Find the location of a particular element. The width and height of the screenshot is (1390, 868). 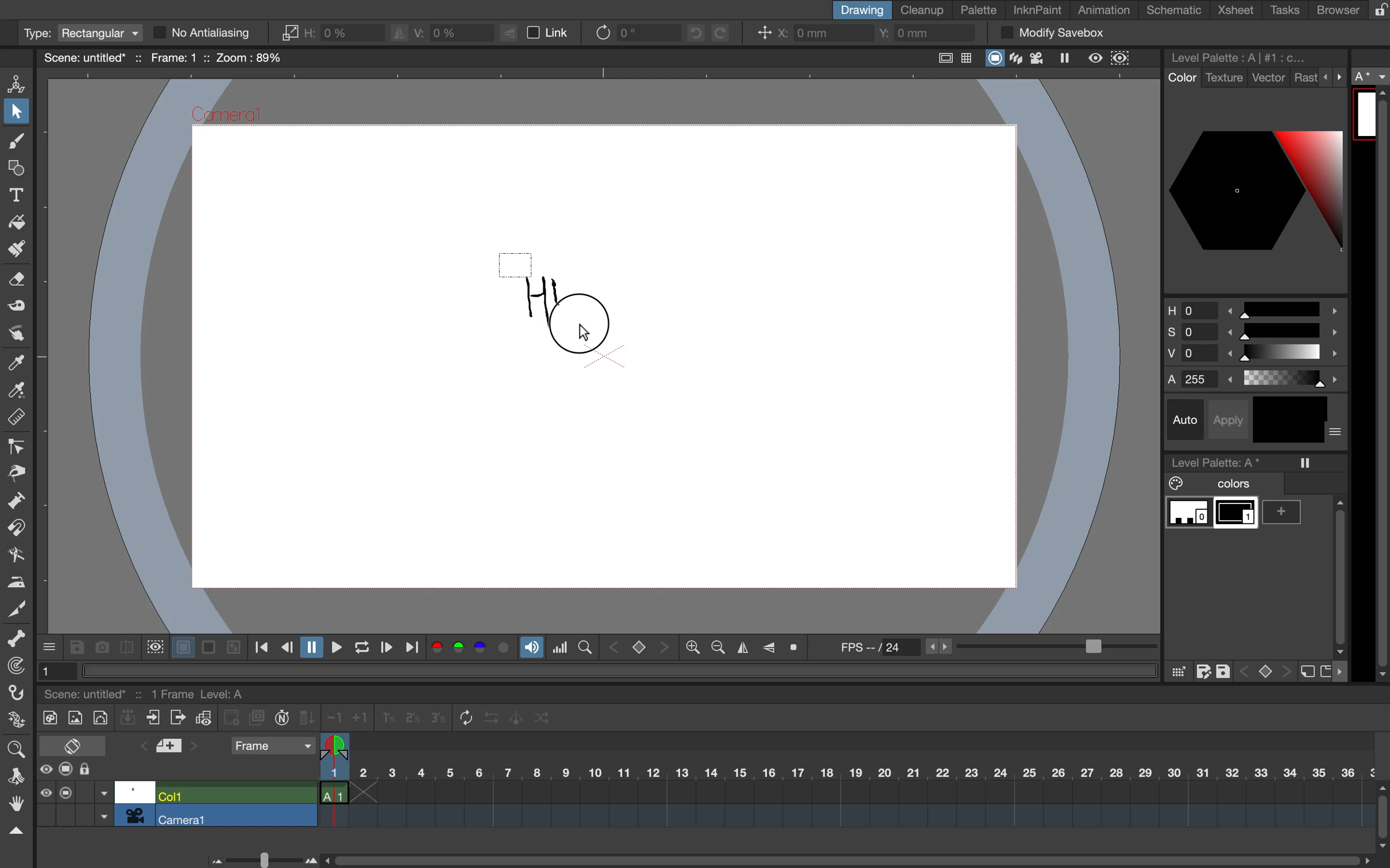

add new memo is located at coordinates (171, 749).